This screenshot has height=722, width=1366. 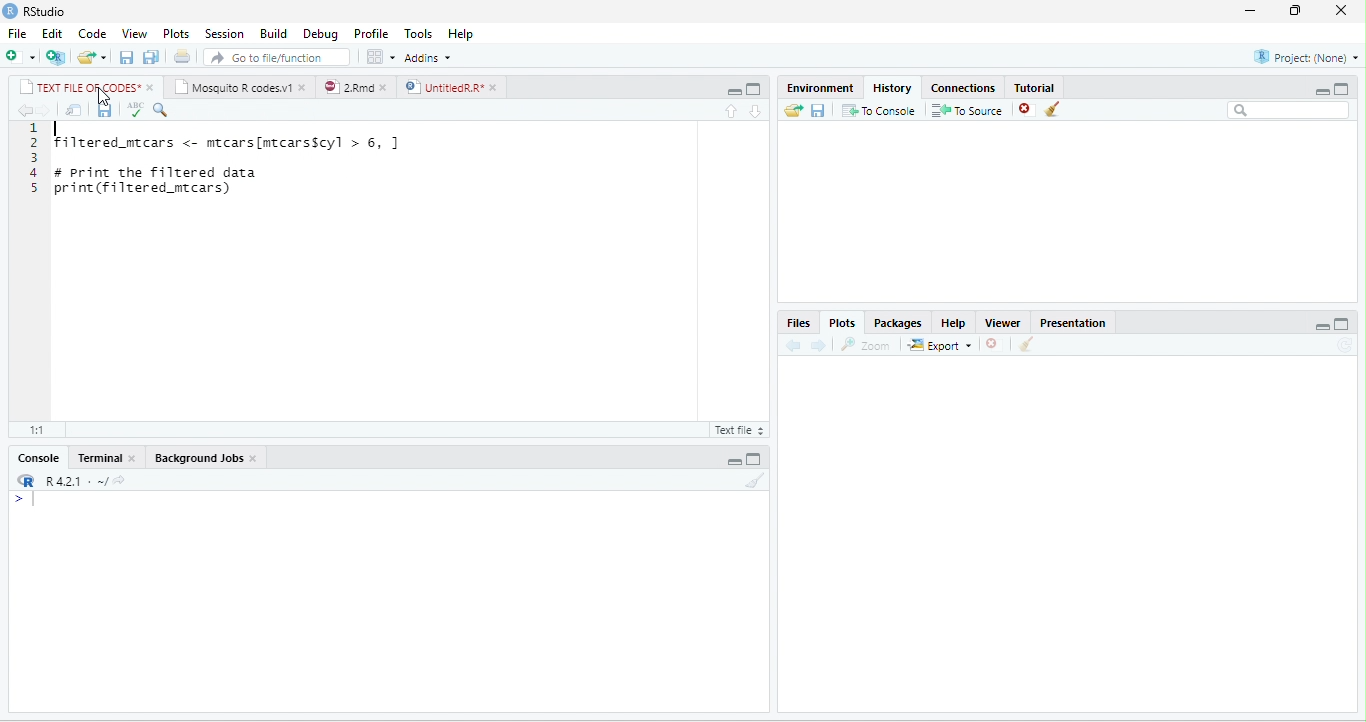 I want to click on Debug, so click(x=320, y=35).